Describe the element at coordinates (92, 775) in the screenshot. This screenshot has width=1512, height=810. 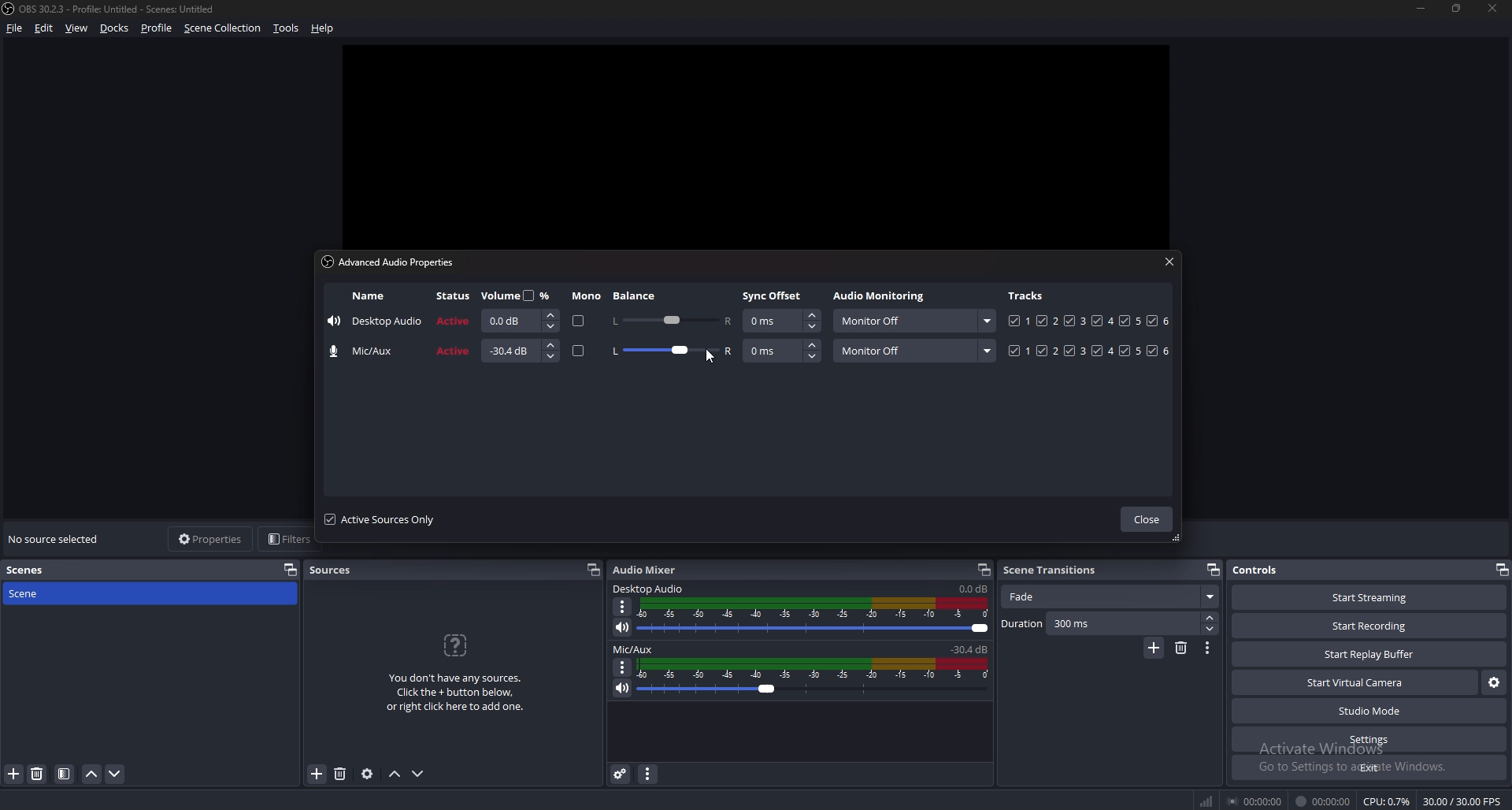
I see `move scene up` at that location.